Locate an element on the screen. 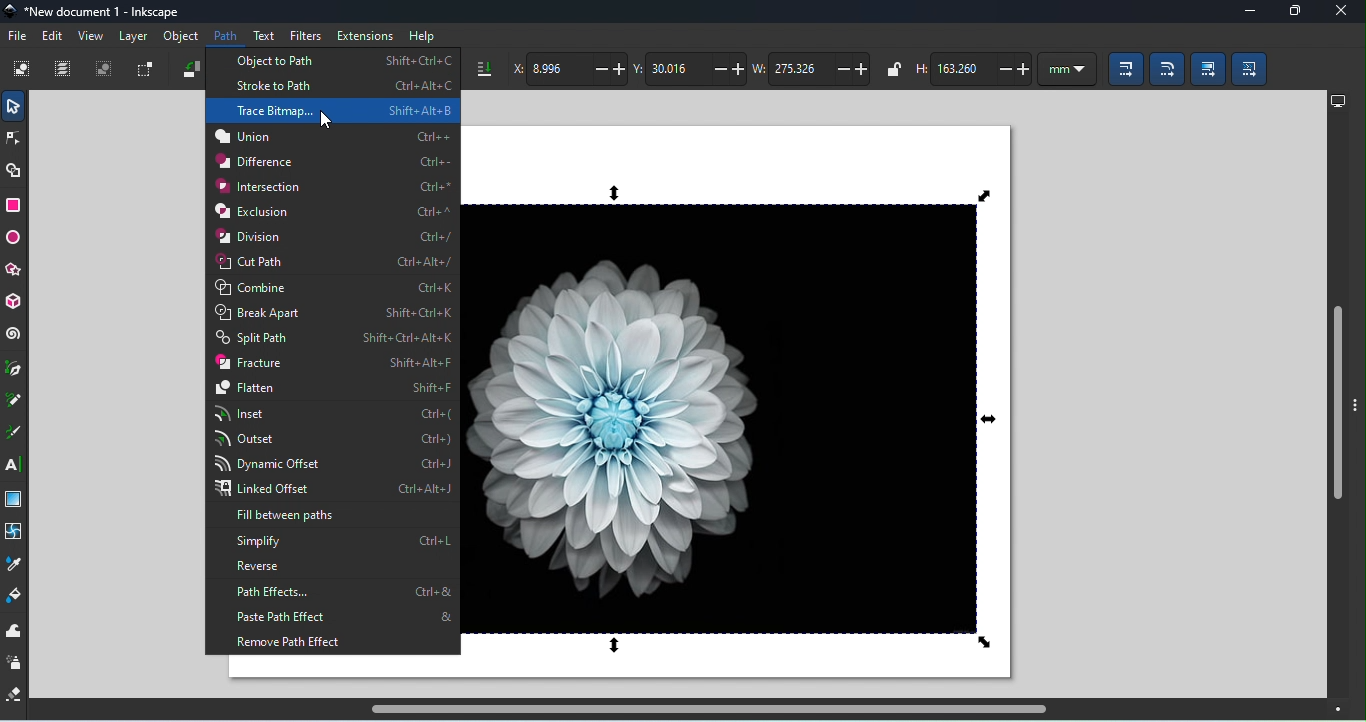 The width and height of the screenshot is (1366, 722). Object to path is located at coordinates (333, 62).